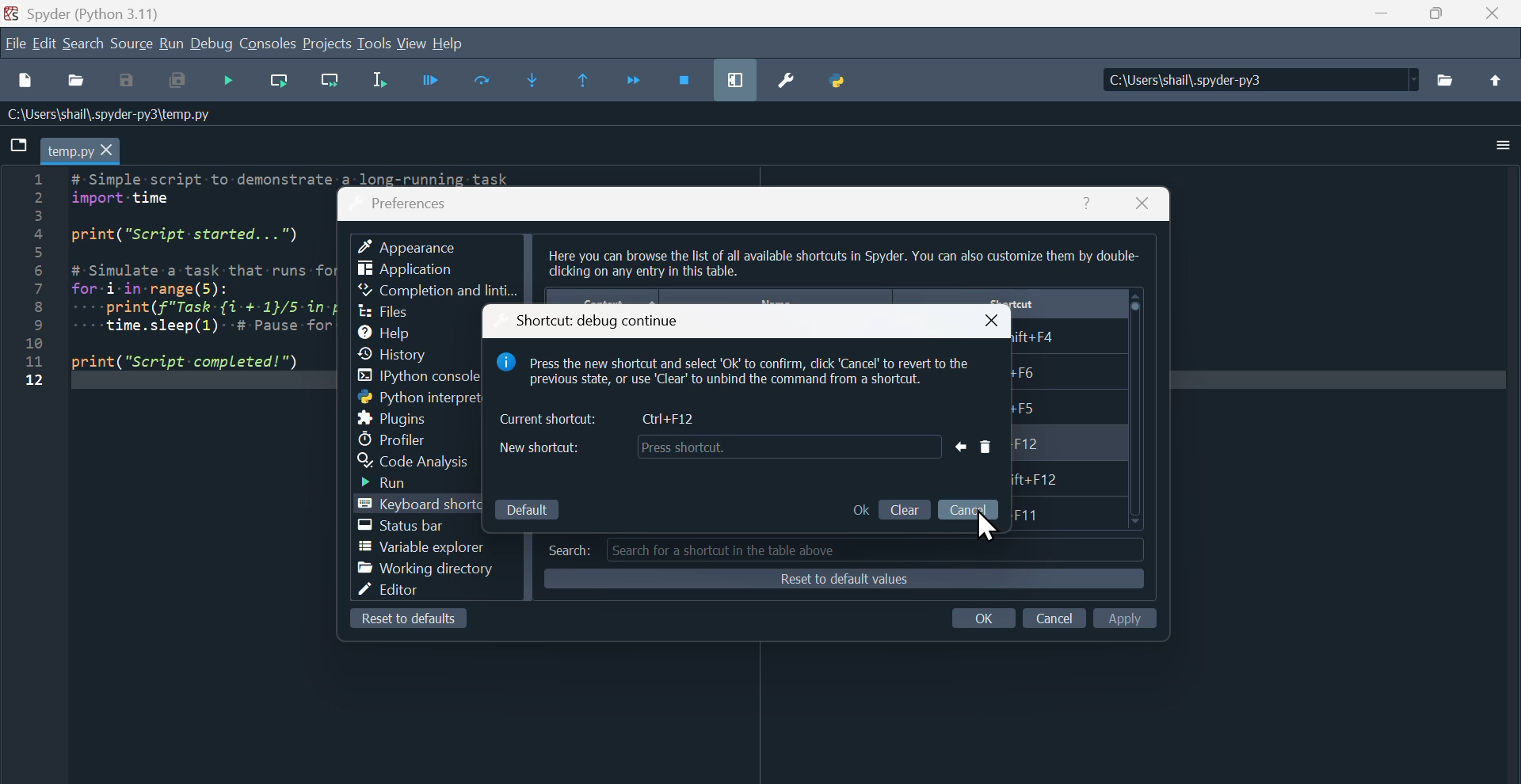 The width and height of the screenshot is (1521, 784). I want to click on Application, so click(407, 270).